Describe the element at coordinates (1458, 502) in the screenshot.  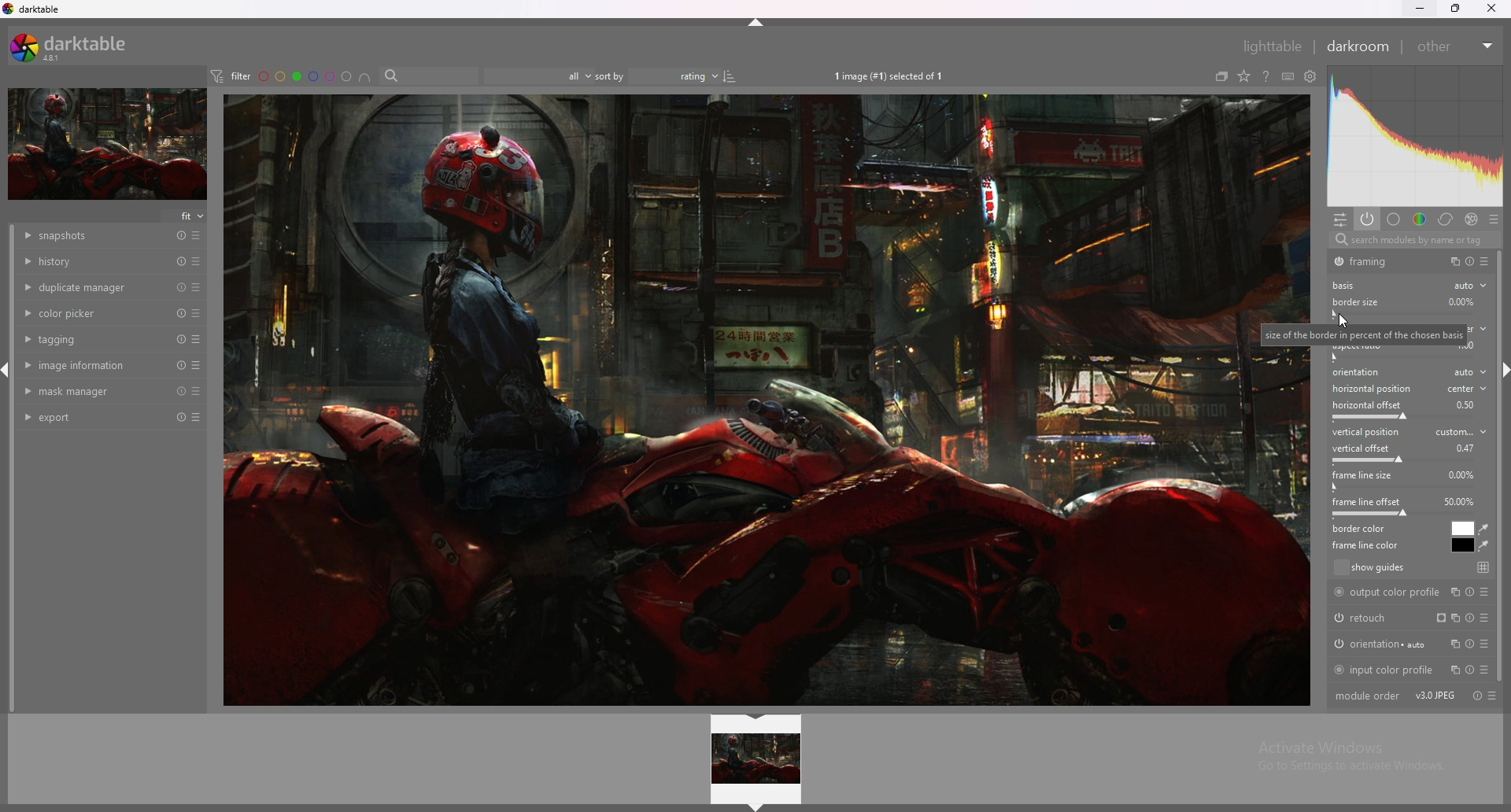
I see `percentage` at that location.